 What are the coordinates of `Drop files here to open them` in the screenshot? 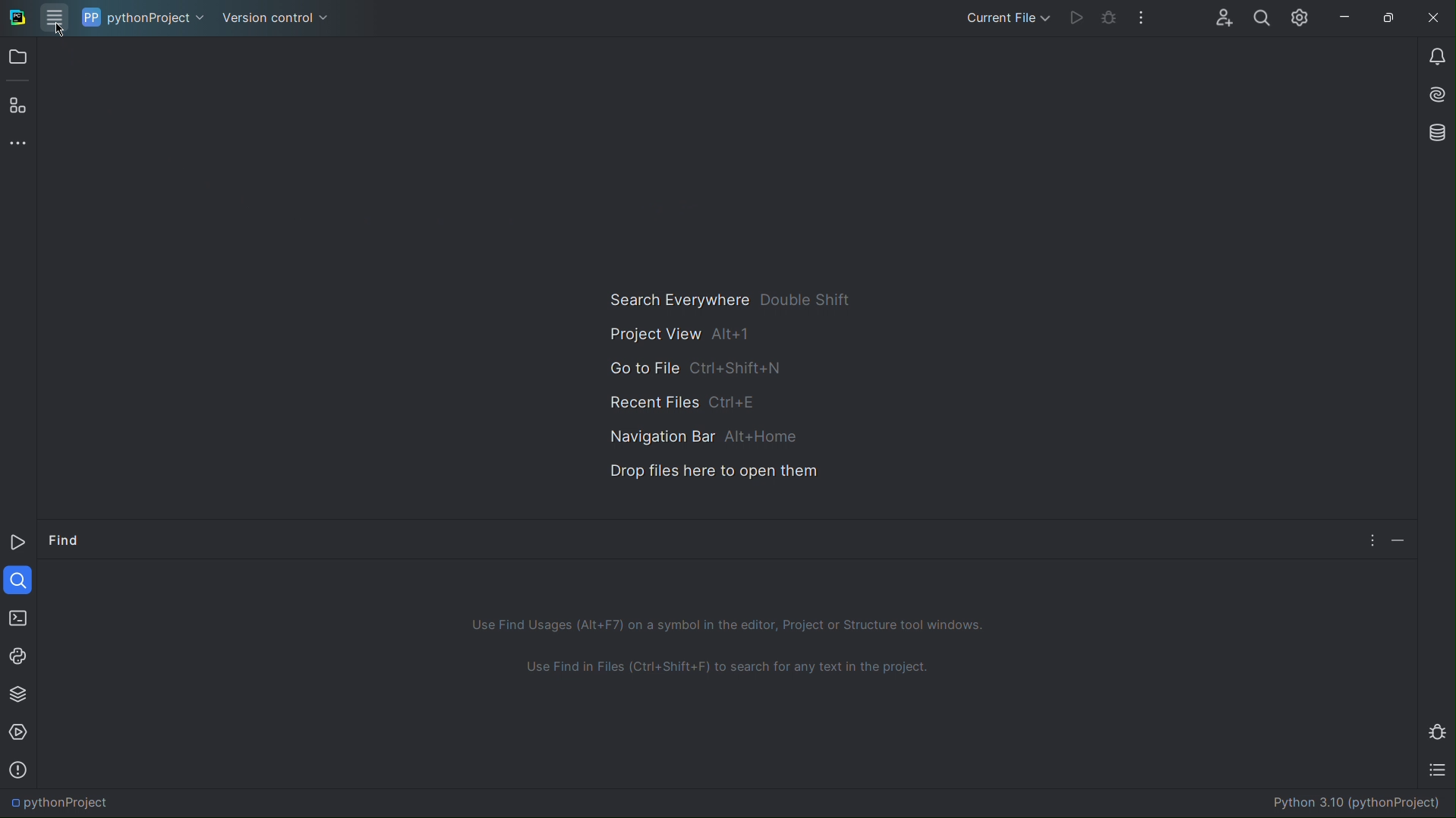 It's located at (703, 470).